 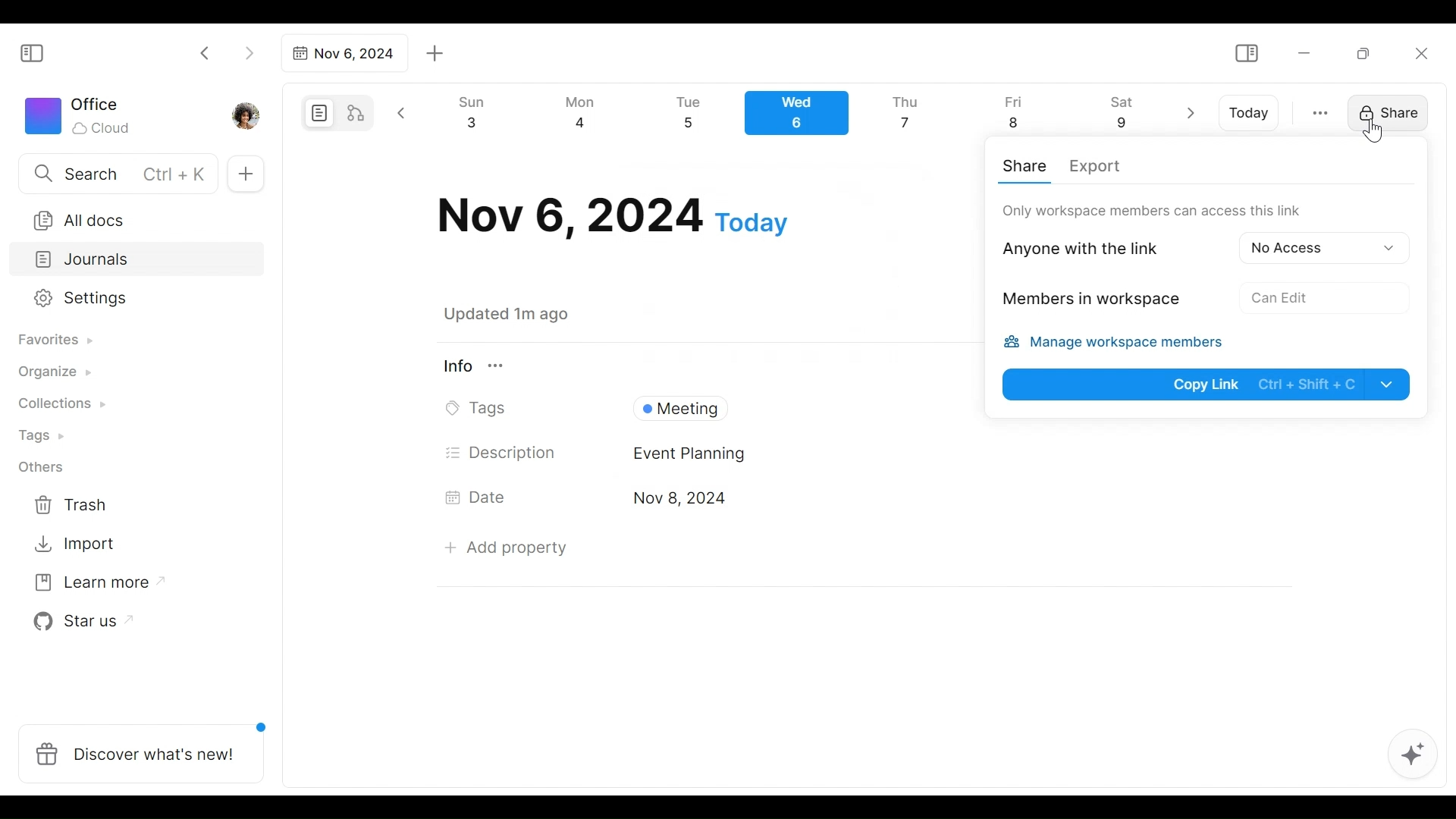 What do you see at coordinates (1208, 384) in the screenshot?
I see `Copy Link` at bounding box center [1208, 384].